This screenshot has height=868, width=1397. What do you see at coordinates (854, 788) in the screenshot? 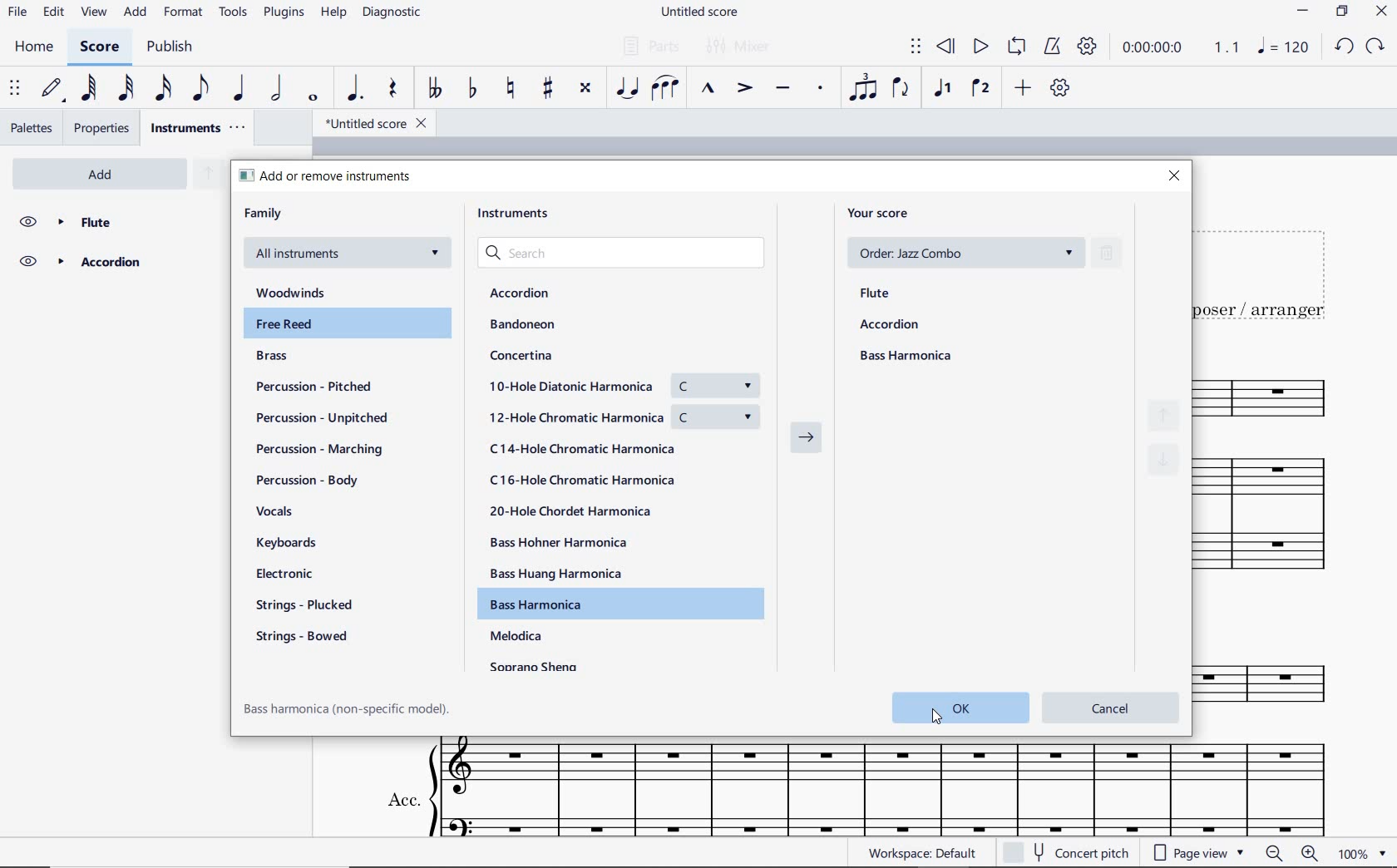
I see `ACC.` at bounding box center [854, 788].